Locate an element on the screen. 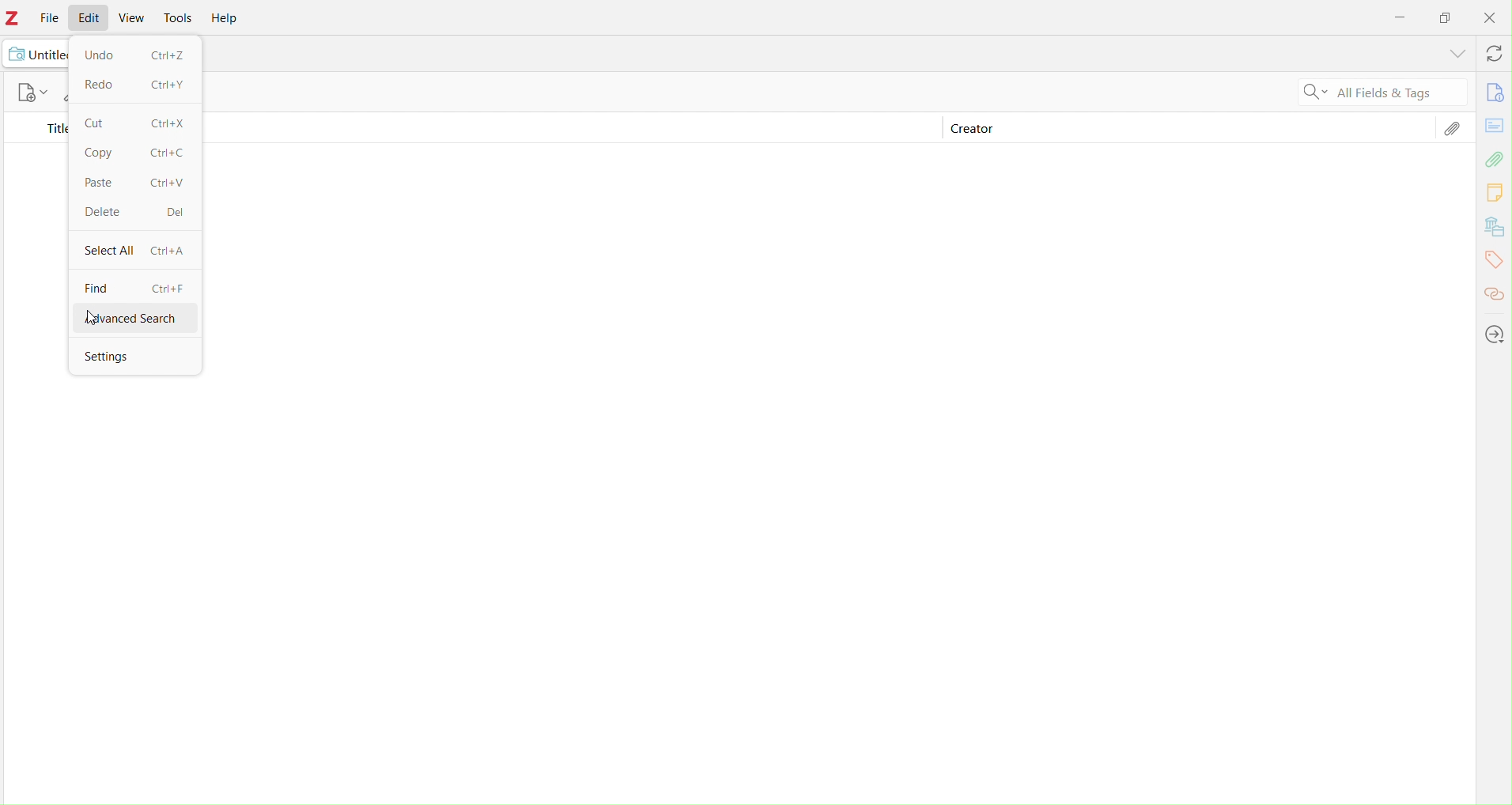  Select All is located at coordinates (141, 251).